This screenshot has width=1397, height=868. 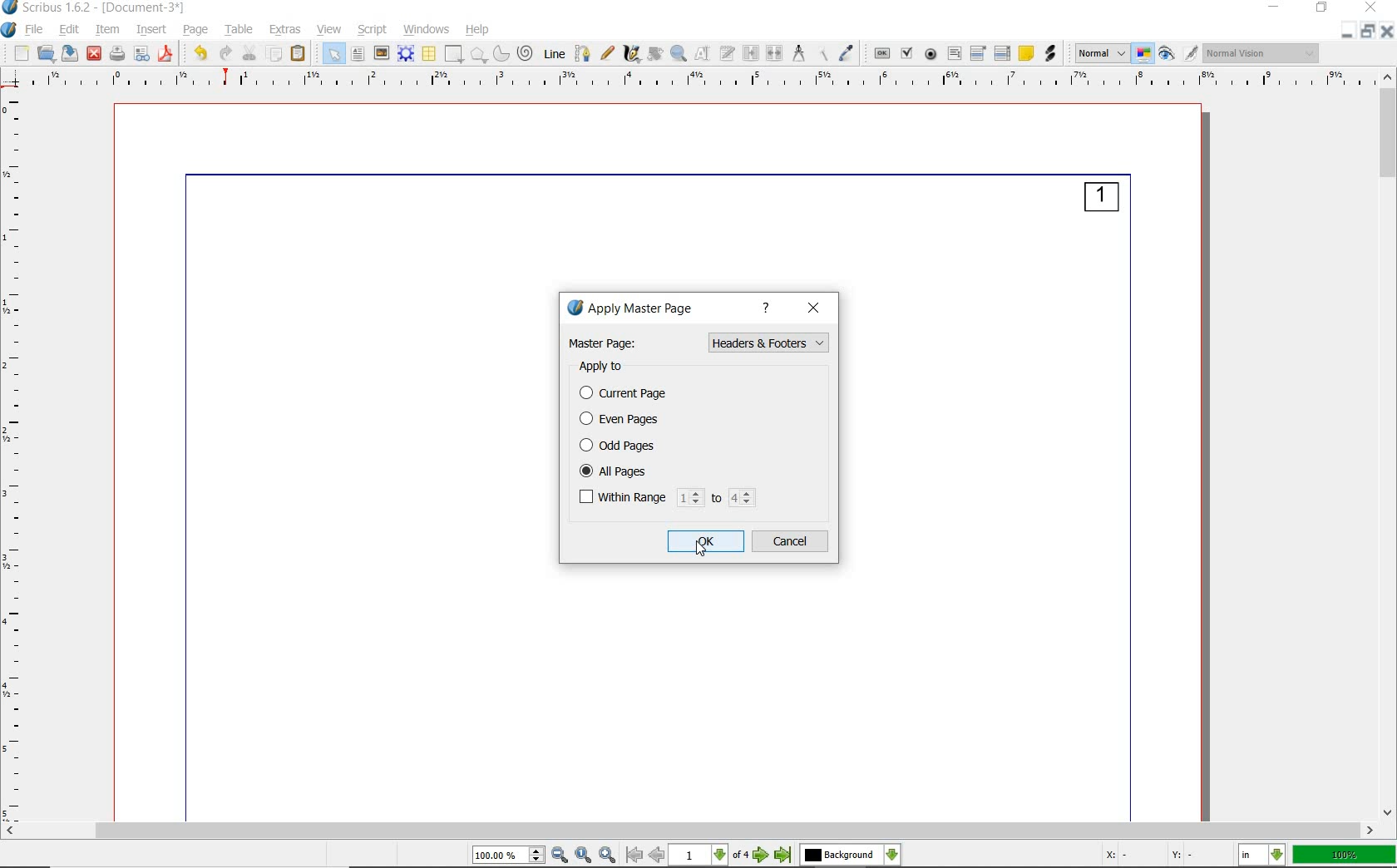 I want to click on select current zoom level, so click(x=510, y=856).